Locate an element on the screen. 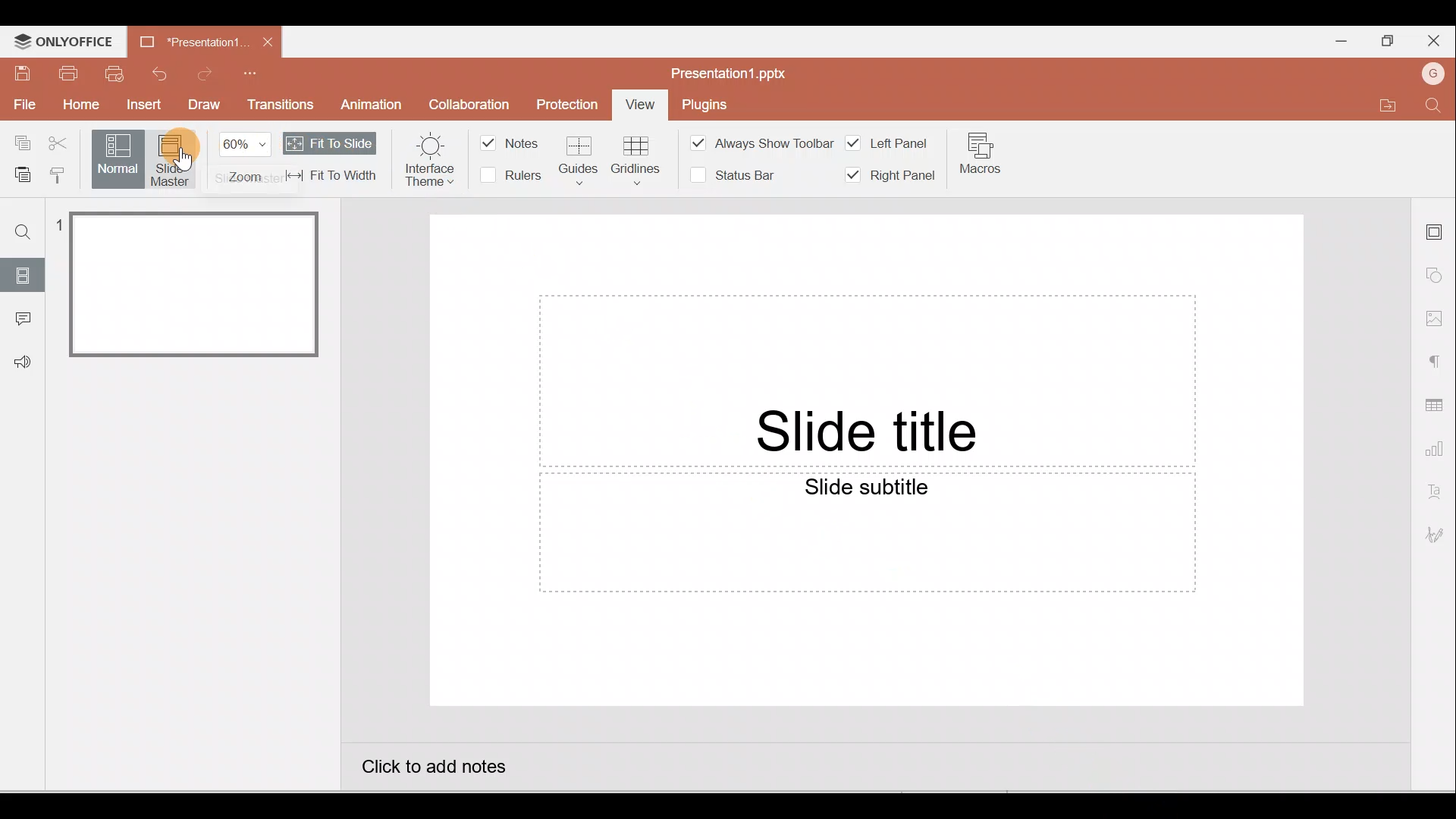  Fit to width is located at coordinates (329, 174).